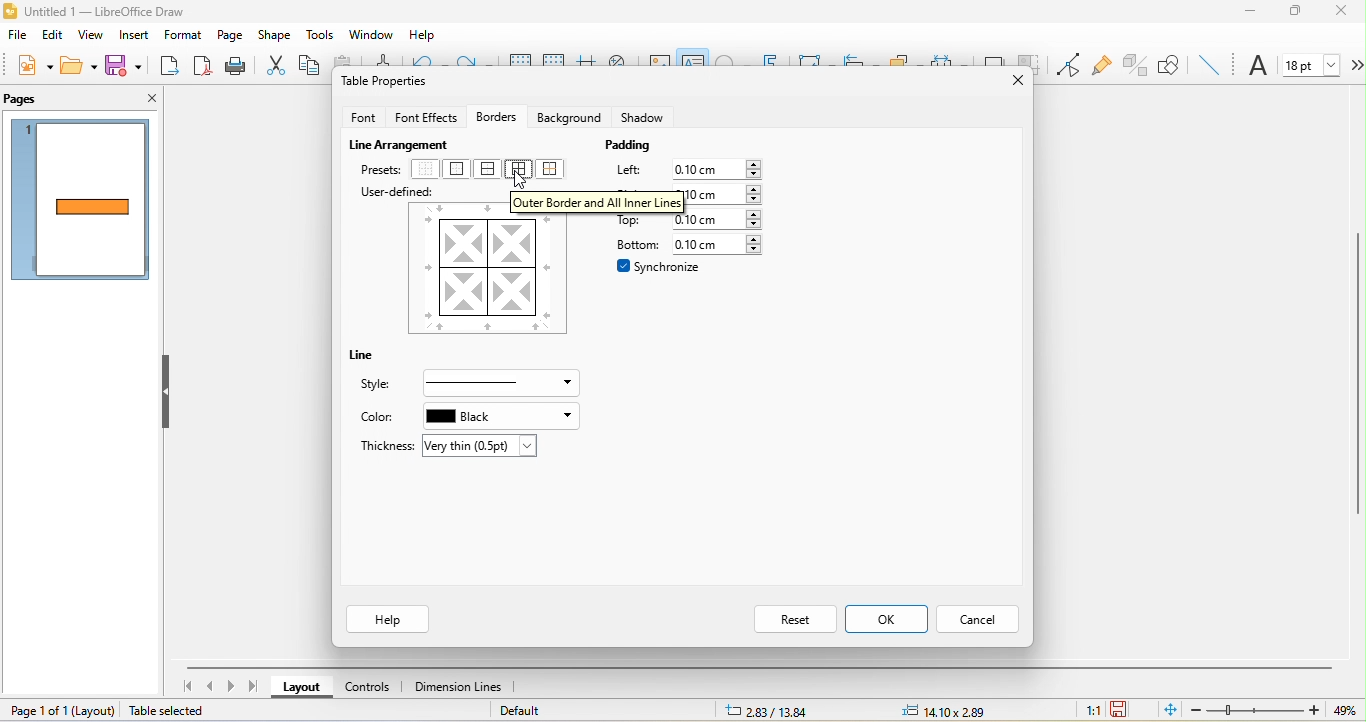 The height and width of the screenshot is (722, 1366). I want to click on 0.10 cm, so click(720, 221).